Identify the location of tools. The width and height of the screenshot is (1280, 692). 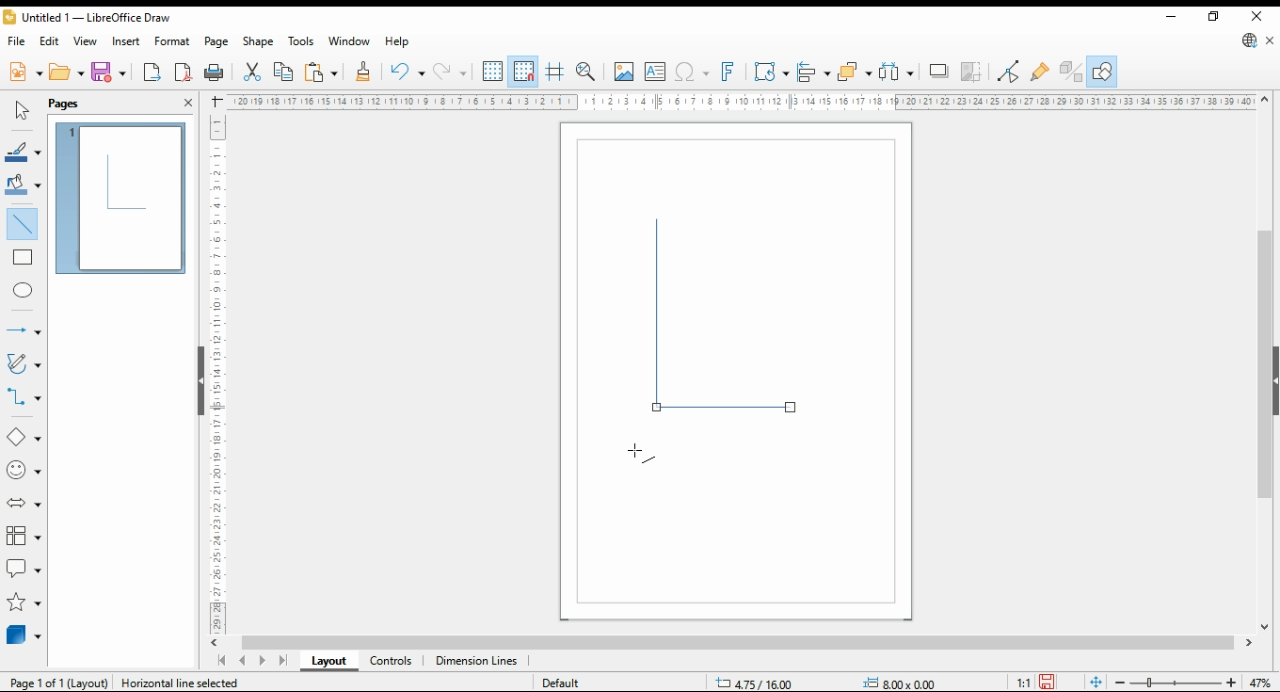
(302, 42).